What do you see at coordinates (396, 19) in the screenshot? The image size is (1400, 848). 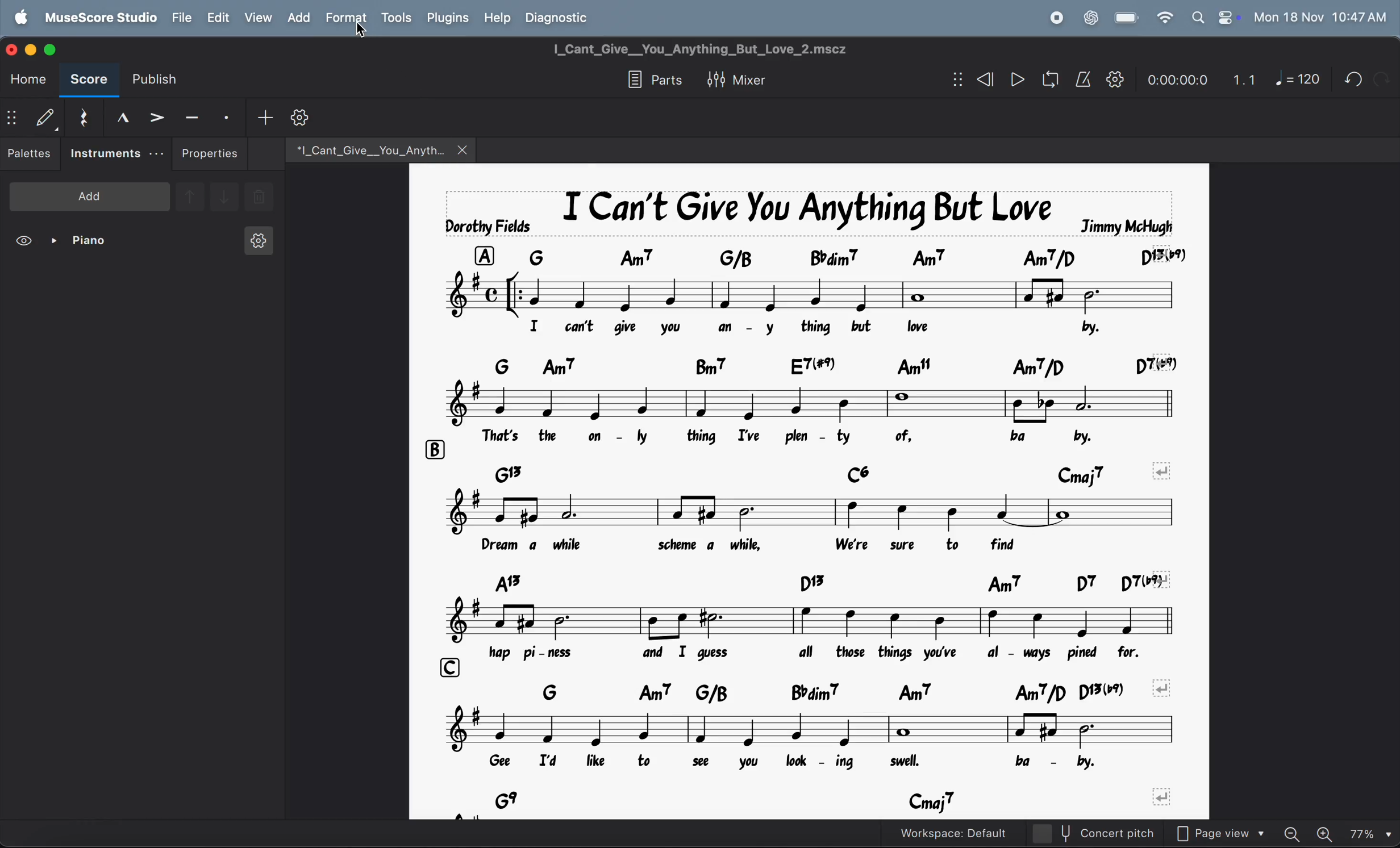 I see `tools` at bounding box center [396, 19].